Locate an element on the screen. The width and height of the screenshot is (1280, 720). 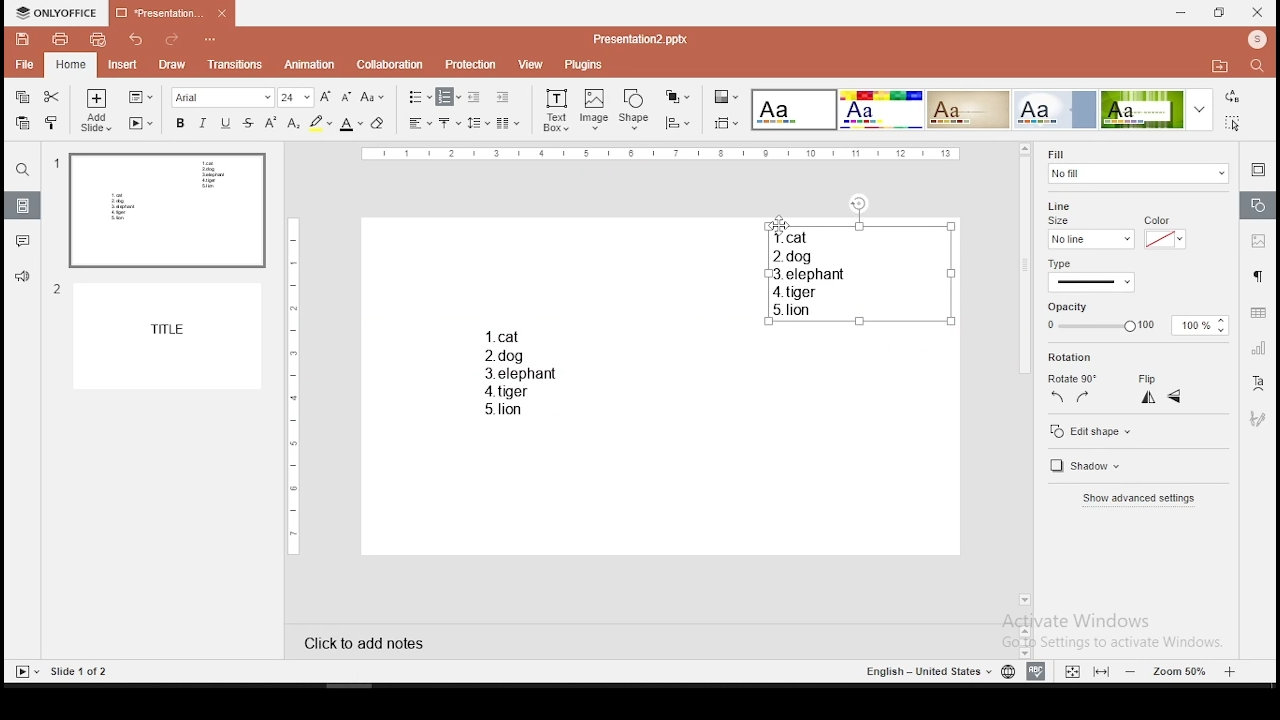
fit to slide is located at coordinates (1072, 669).